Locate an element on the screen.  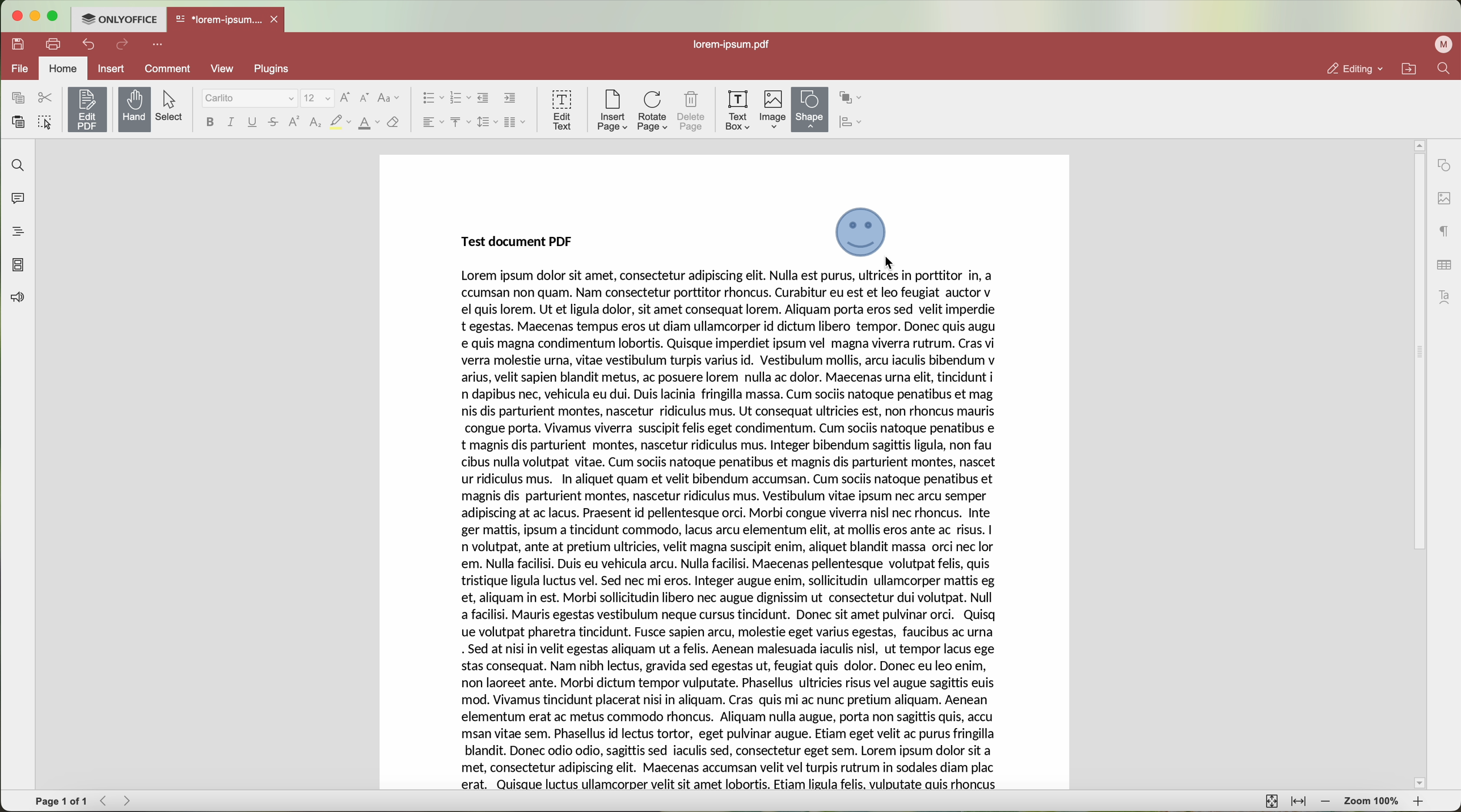
increment font size is located at coordinates (348, 96).